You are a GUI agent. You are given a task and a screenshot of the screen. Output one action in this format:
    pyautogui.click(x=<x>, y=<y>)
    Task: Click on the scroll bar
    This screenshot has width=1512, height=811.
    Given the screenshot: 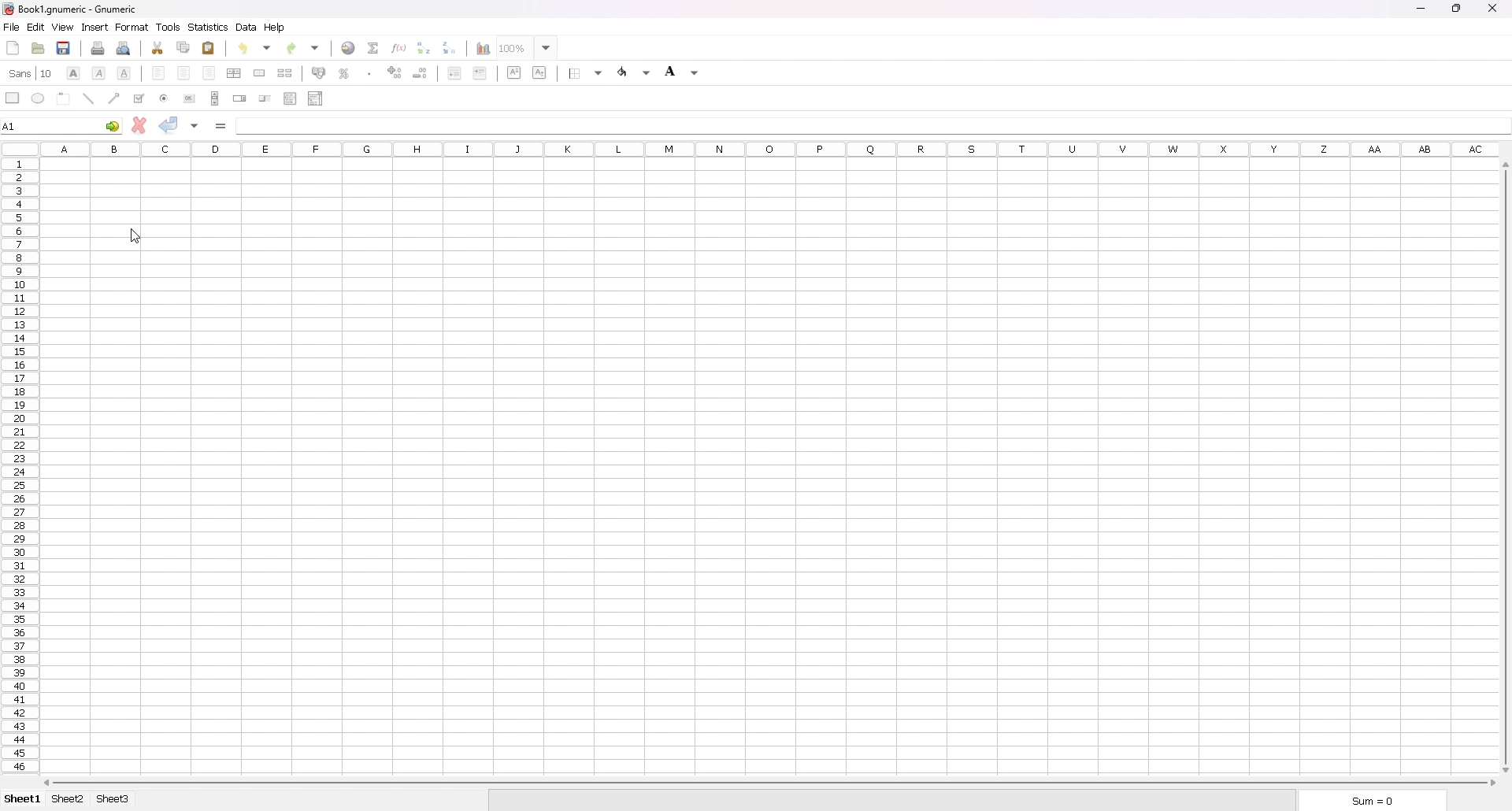 What is the action you would take?
    pyautogui.click(x=216, y=97)
    